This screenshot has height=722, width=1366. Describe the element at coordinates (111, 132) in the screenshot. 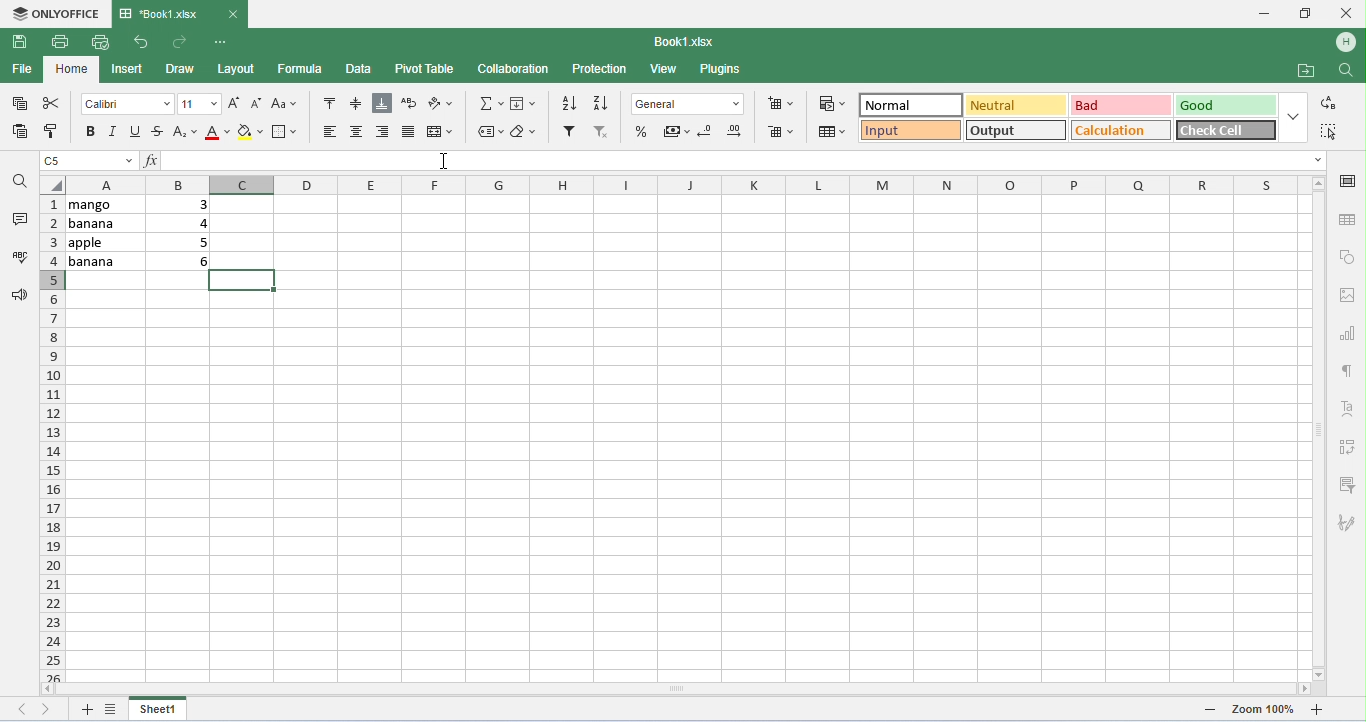

I see `italics` at that location.